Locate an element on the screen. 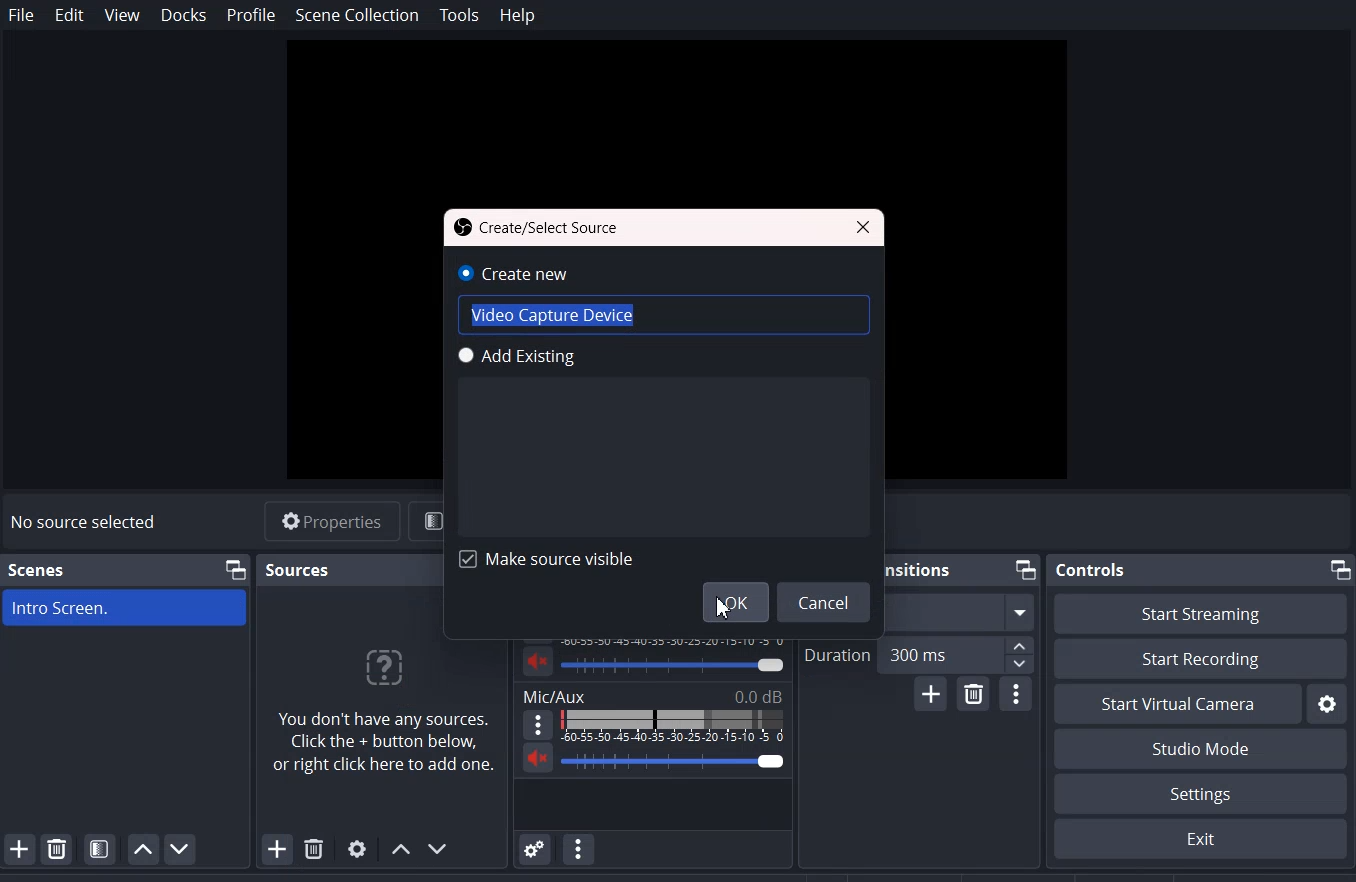 Image resolution: width=1356 pixels, height=882 pixels. Settings is located at coordinates (1199, 839).